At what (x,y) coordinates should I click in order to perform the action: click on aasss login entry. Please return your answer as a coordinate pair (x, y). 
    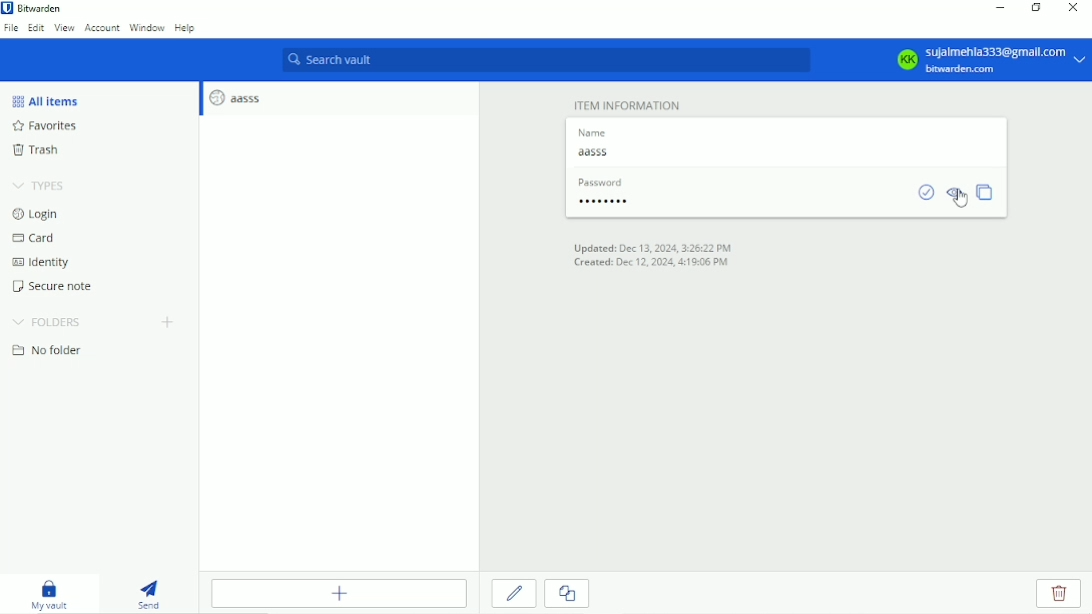
    Looking at the image, I should click on (235, 100).